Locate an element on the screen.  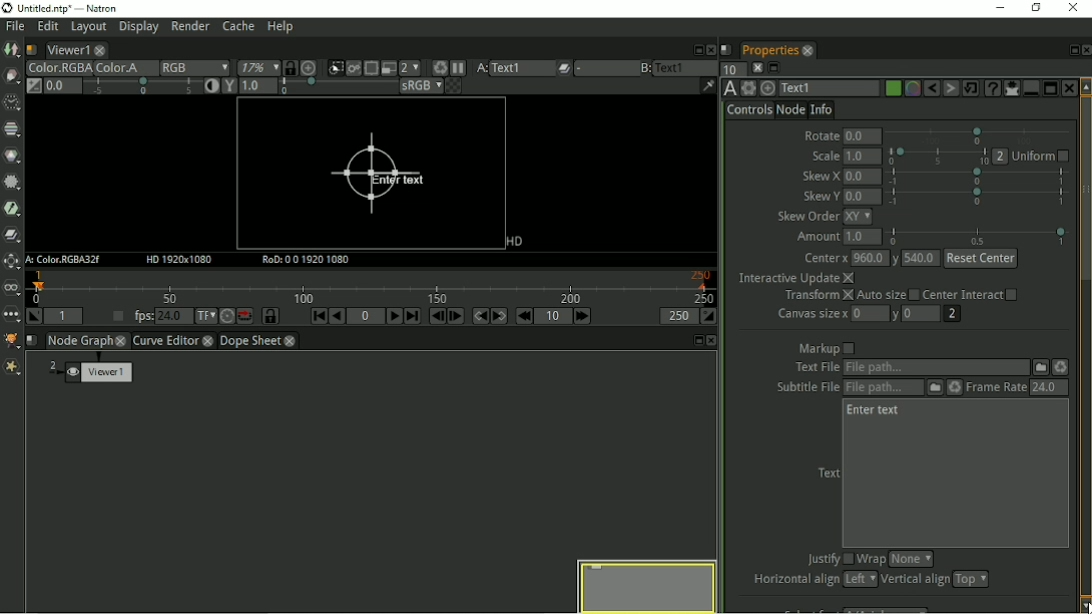
Merge is located at coordinates (13, 234).